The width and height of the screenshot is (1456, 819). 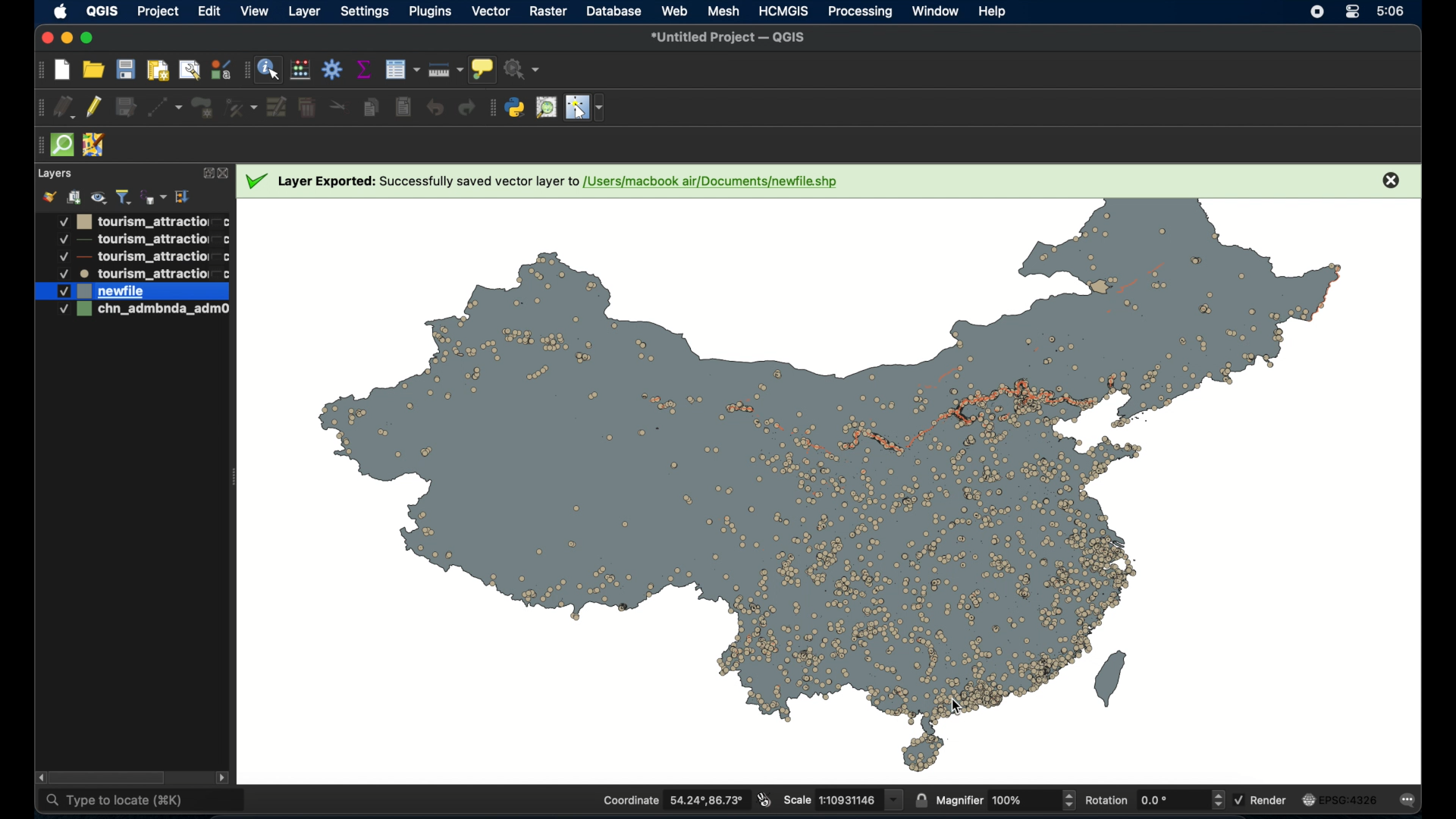 What do you see at coordinates (548, 183) in the screenshot?
I see `layer exported confirmation pop up` at bounding box center [548, 183].